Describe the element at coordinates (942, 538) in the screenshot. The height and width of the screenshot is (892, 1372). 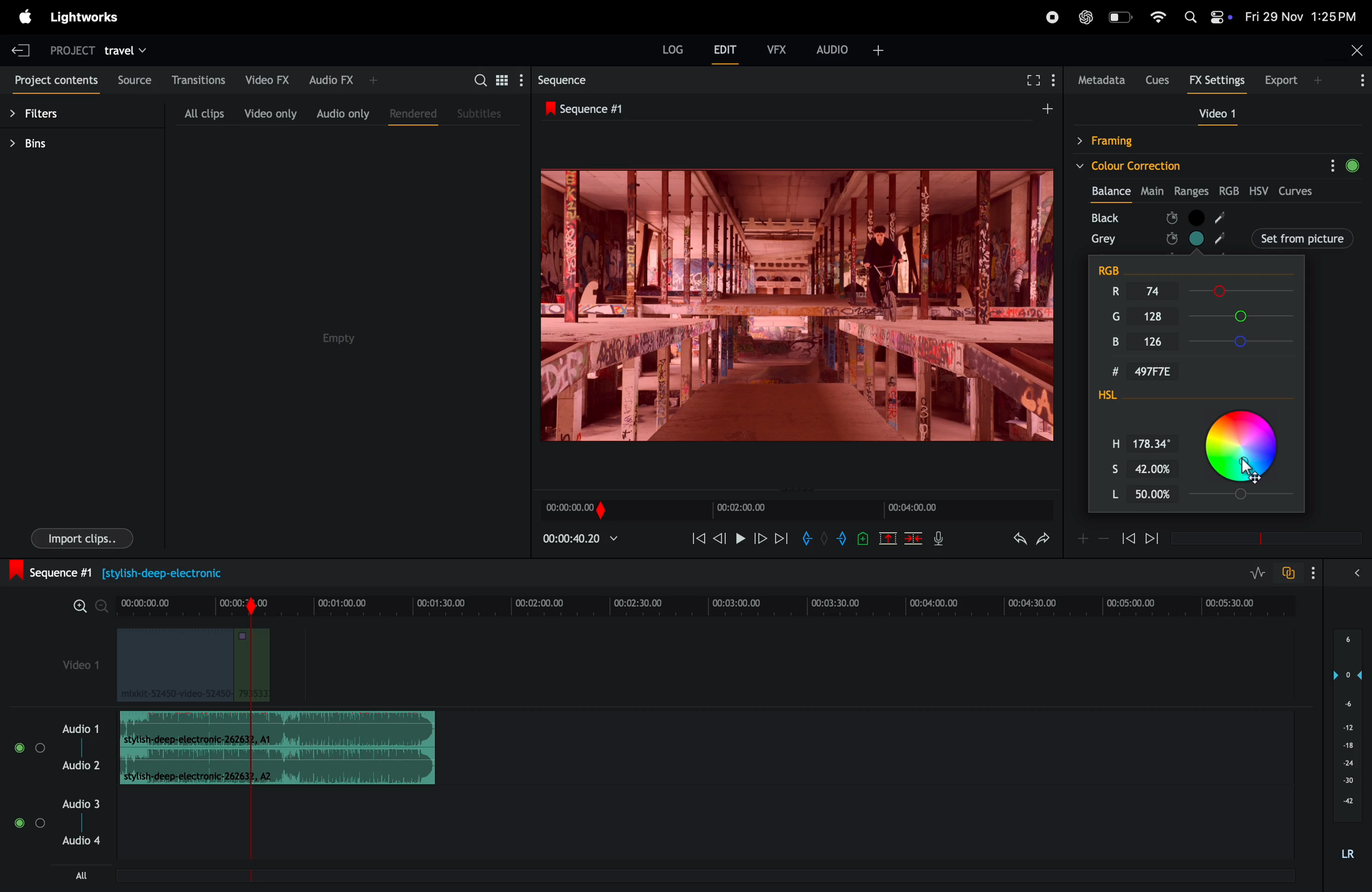
I see `mic` at that location.